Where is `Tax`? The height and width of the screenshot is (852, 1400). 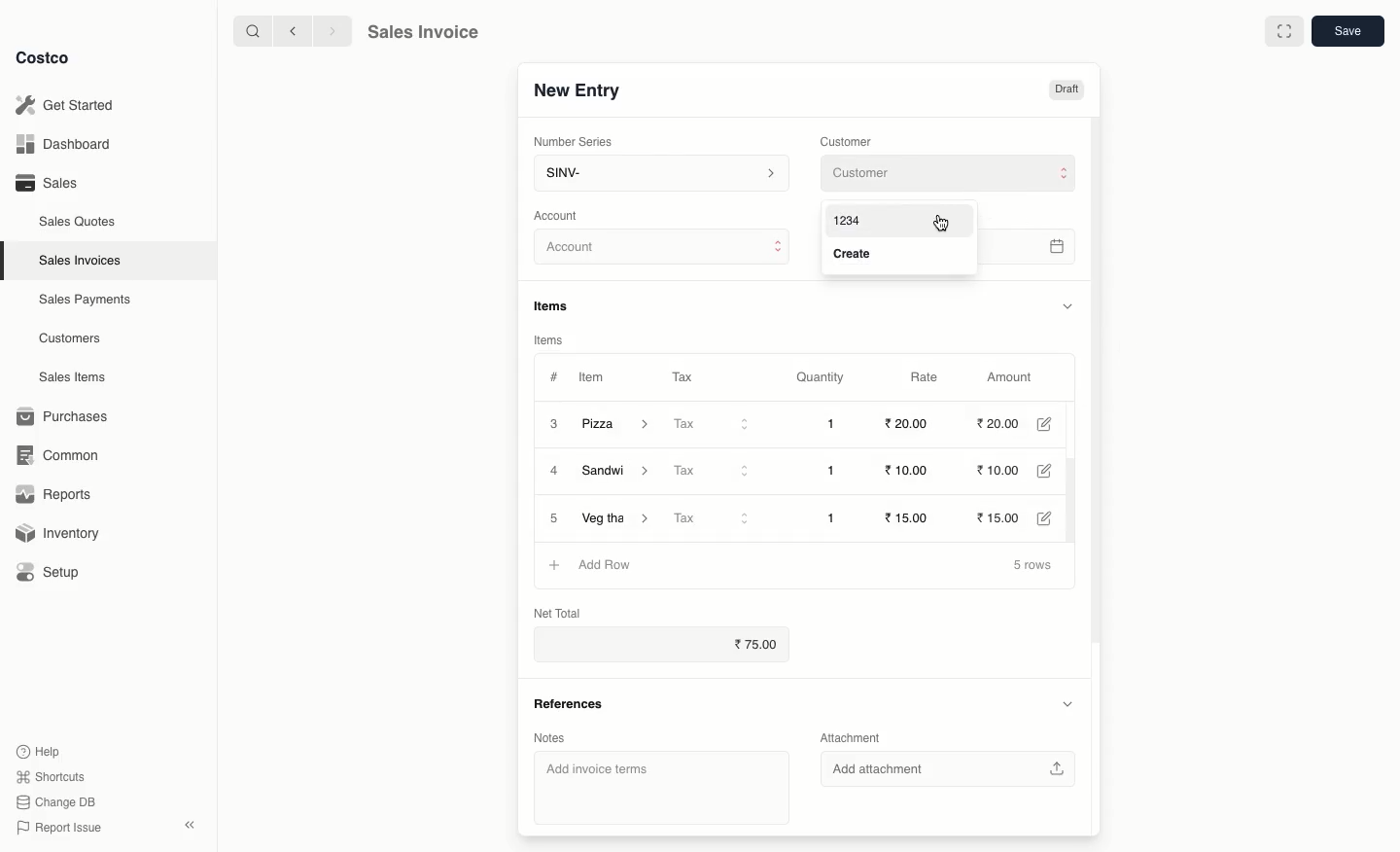
Tax is located at coordinates (713, 470).